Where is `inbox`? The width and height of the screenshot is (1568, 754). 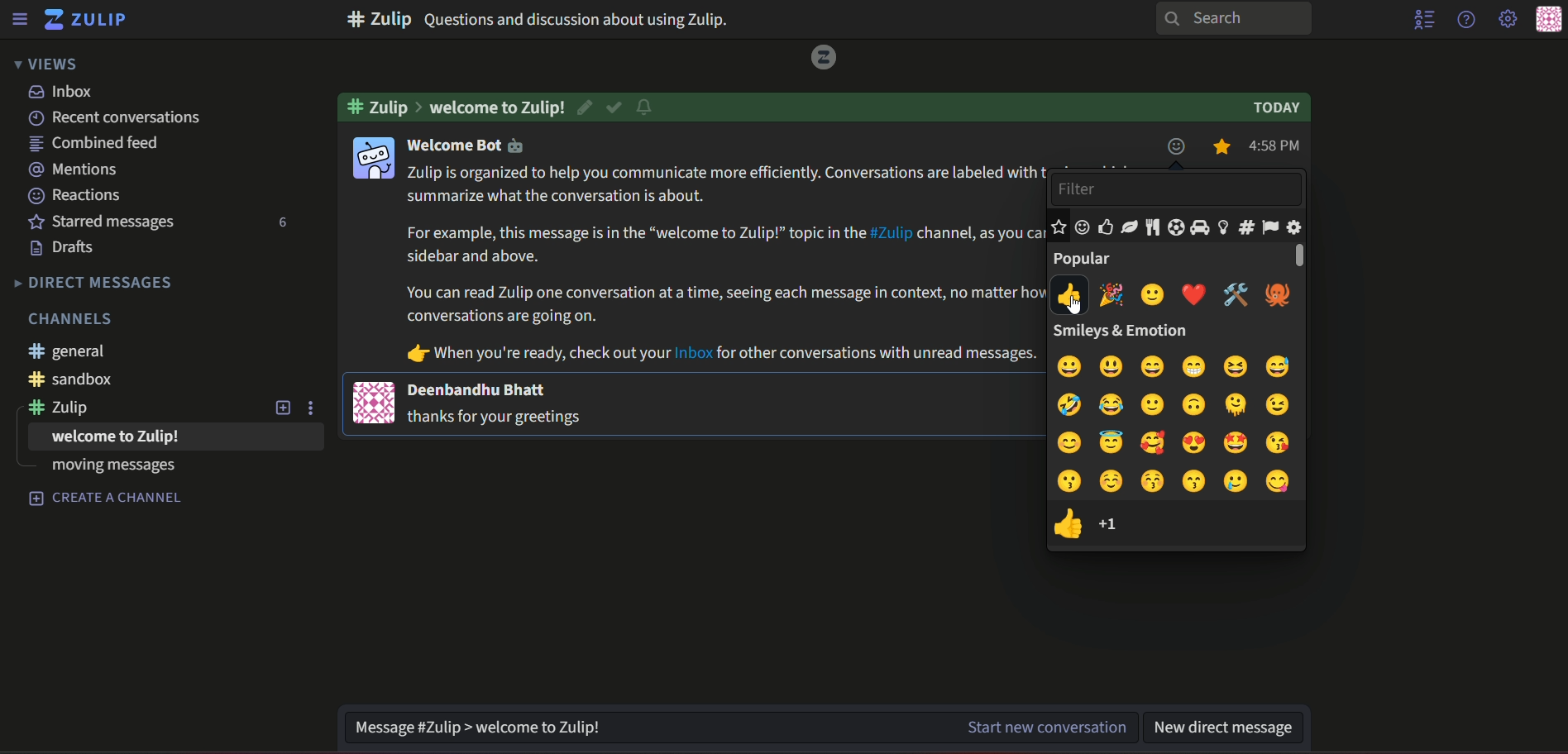 inbox is located at coordinates (67, 91).